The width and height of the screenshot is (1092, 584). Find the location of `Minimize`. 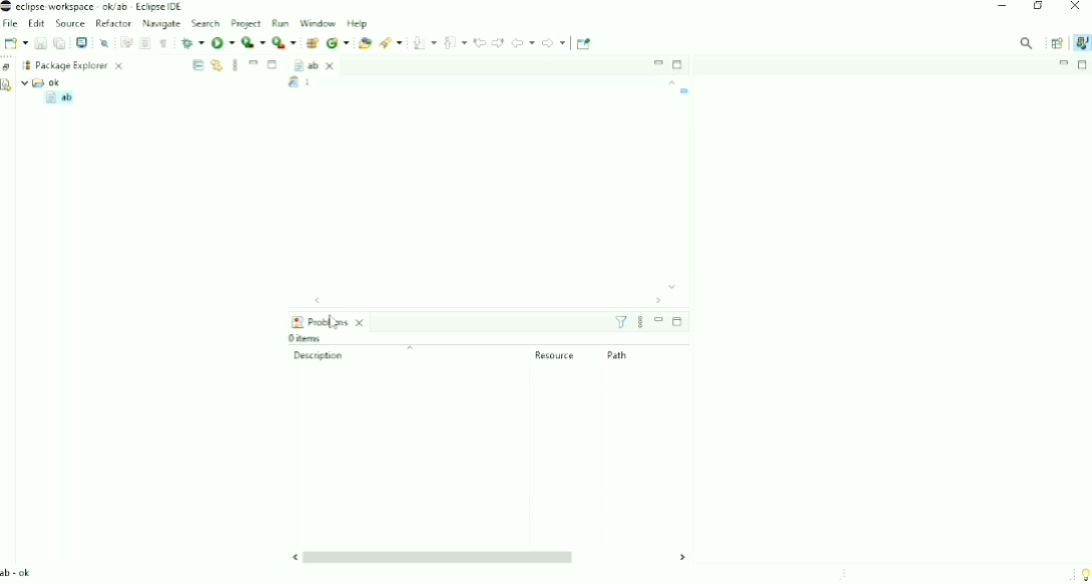

Minimize is located at coordinates (1002, 6).